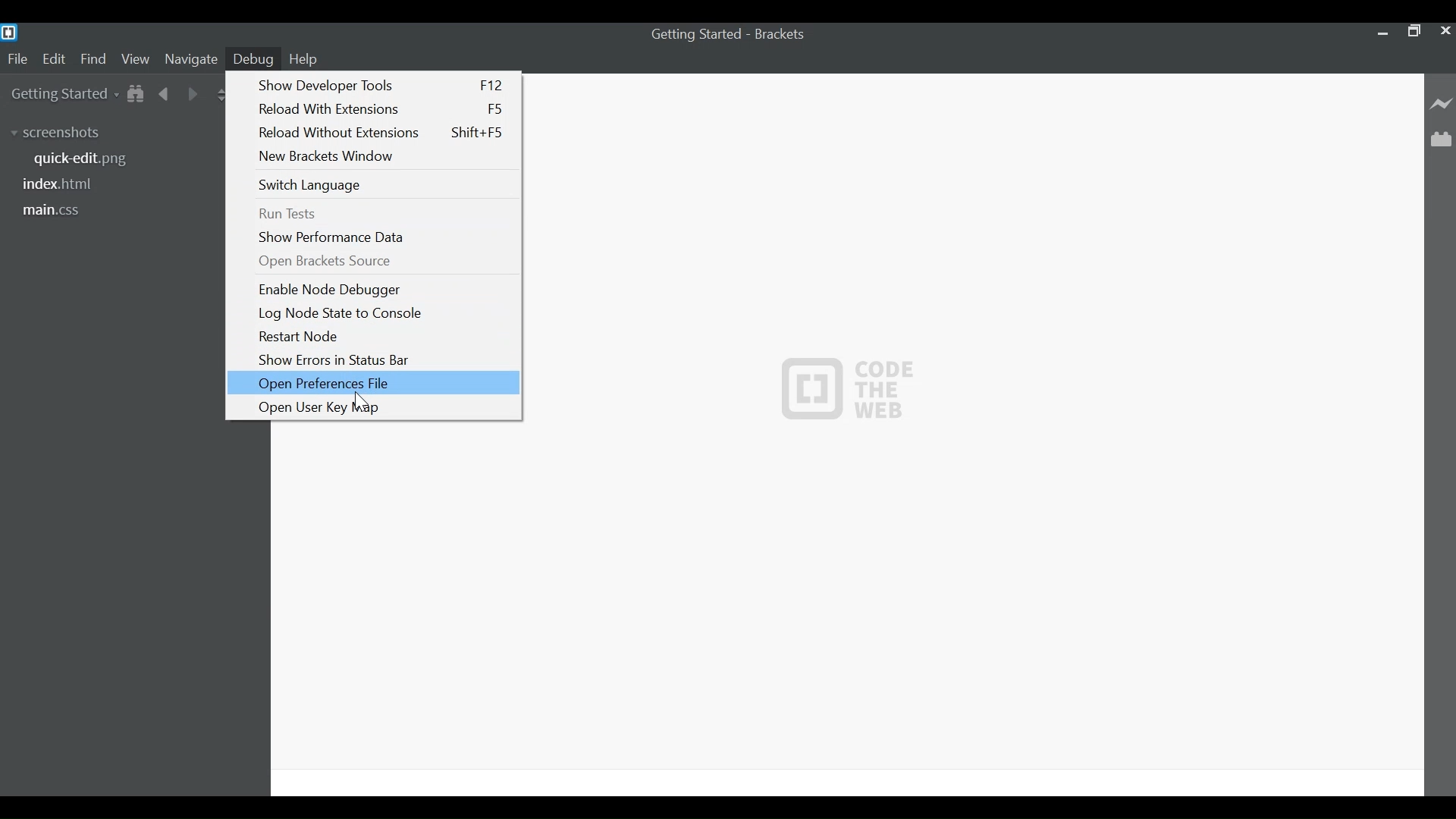 The image size is (1456, 819). I want to click on Reload With Extensions, so click(384, 108).